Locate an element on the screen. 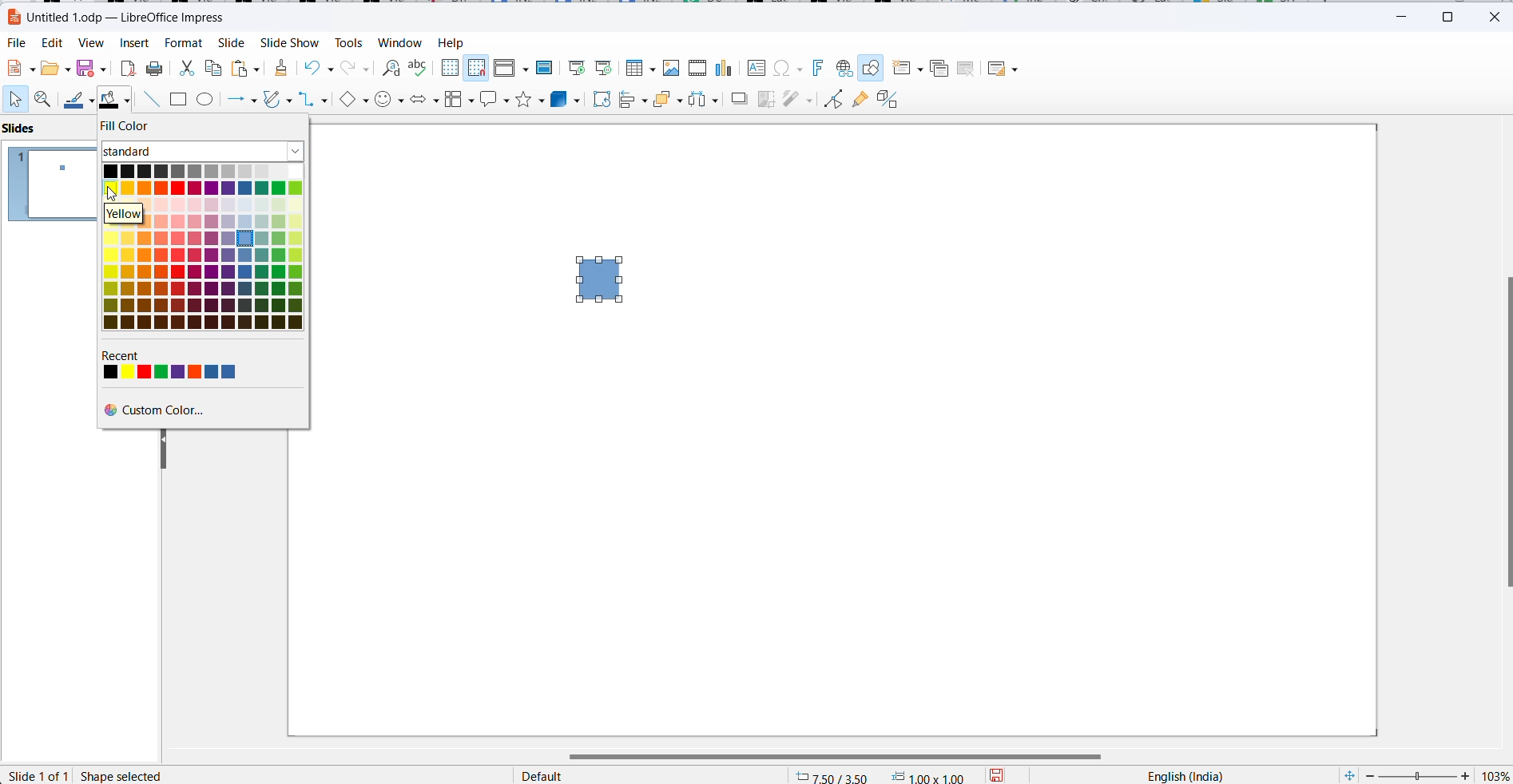 This screenshot has width=1513, height=784. show glue point function is located at coordinates (859, 101).